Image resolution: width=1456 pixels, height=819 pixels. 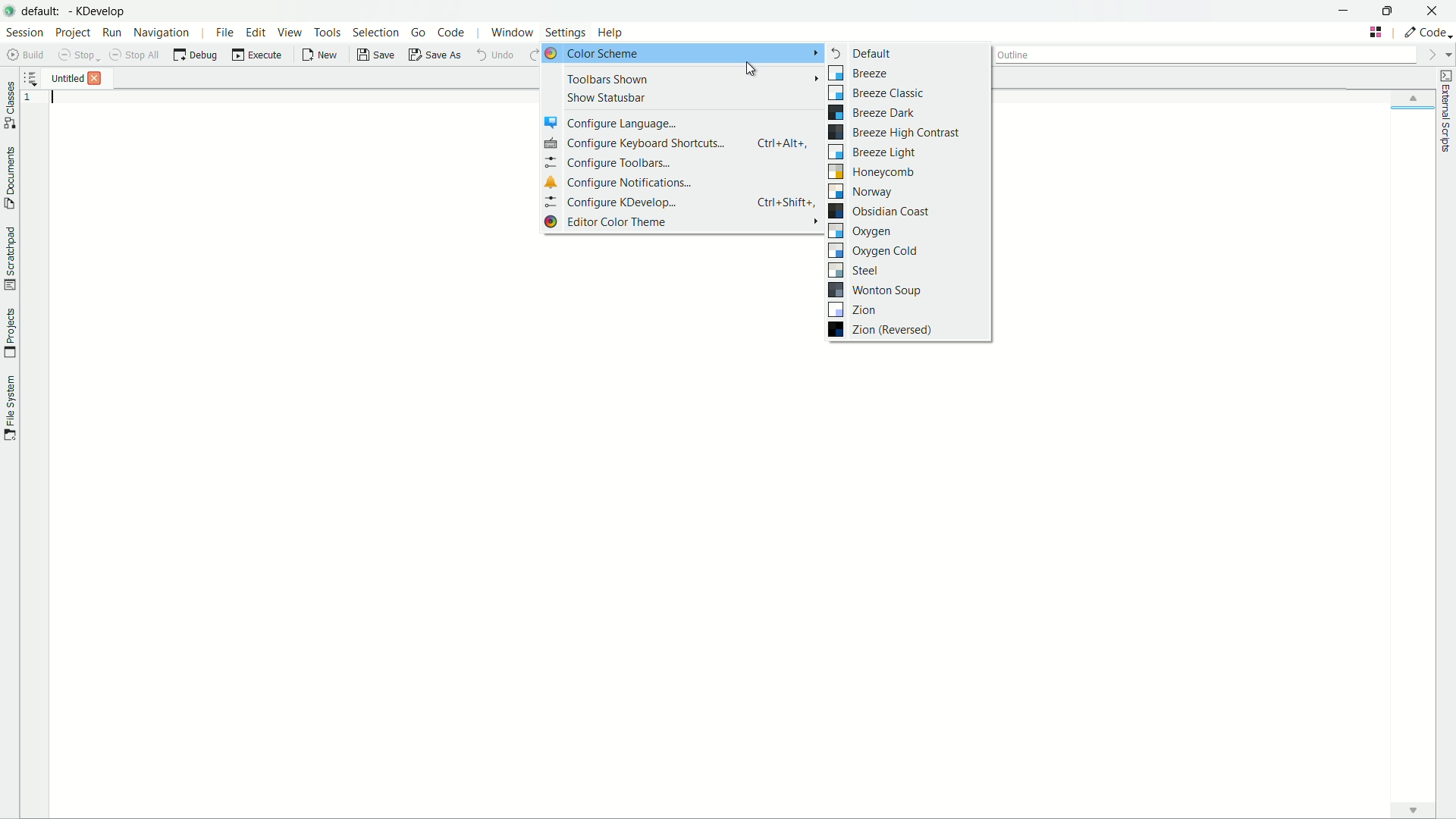 I want to click on cursor, so click(x=750, y=71).